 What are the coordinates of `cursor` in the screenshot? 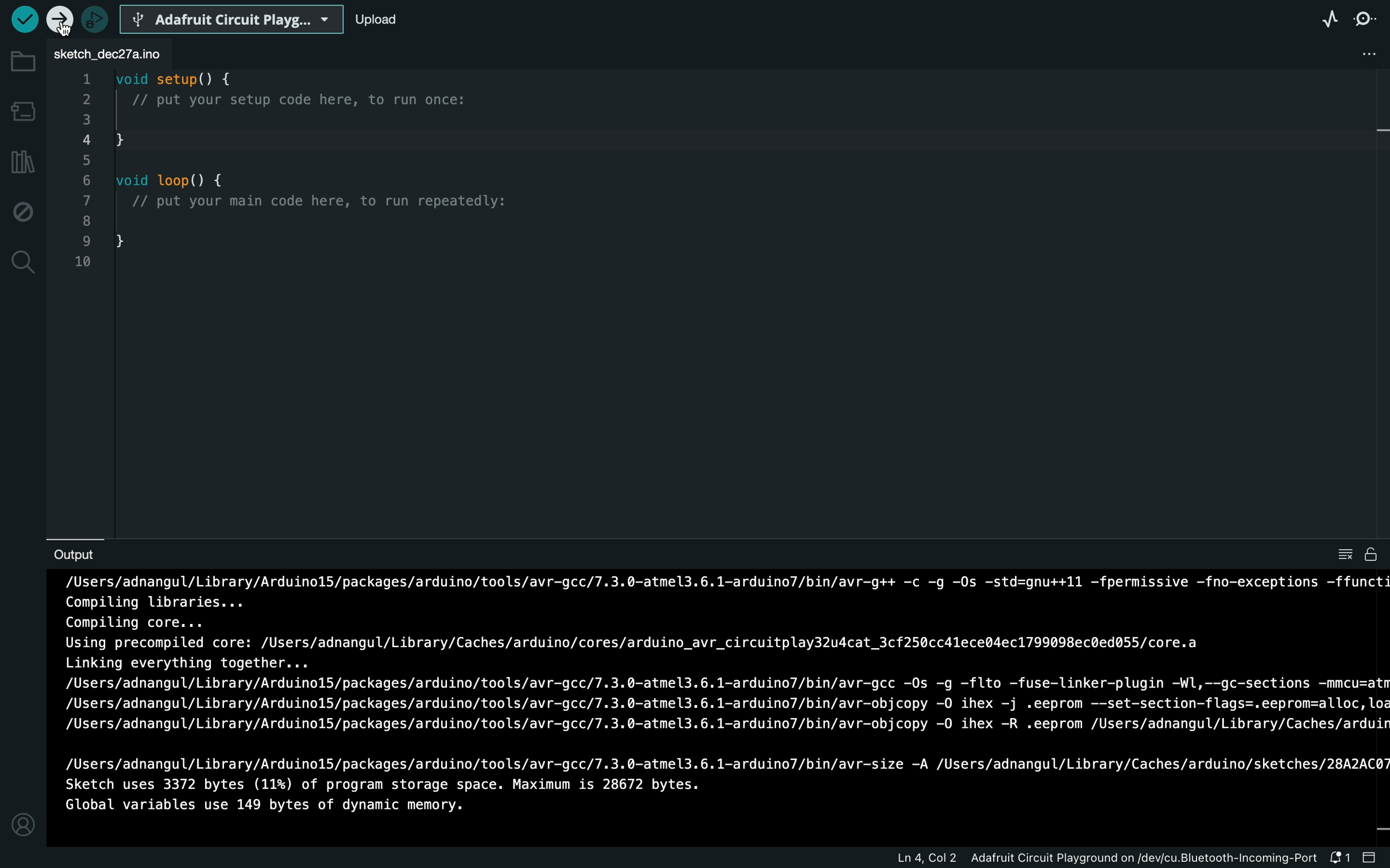 It's located at (59, 24).